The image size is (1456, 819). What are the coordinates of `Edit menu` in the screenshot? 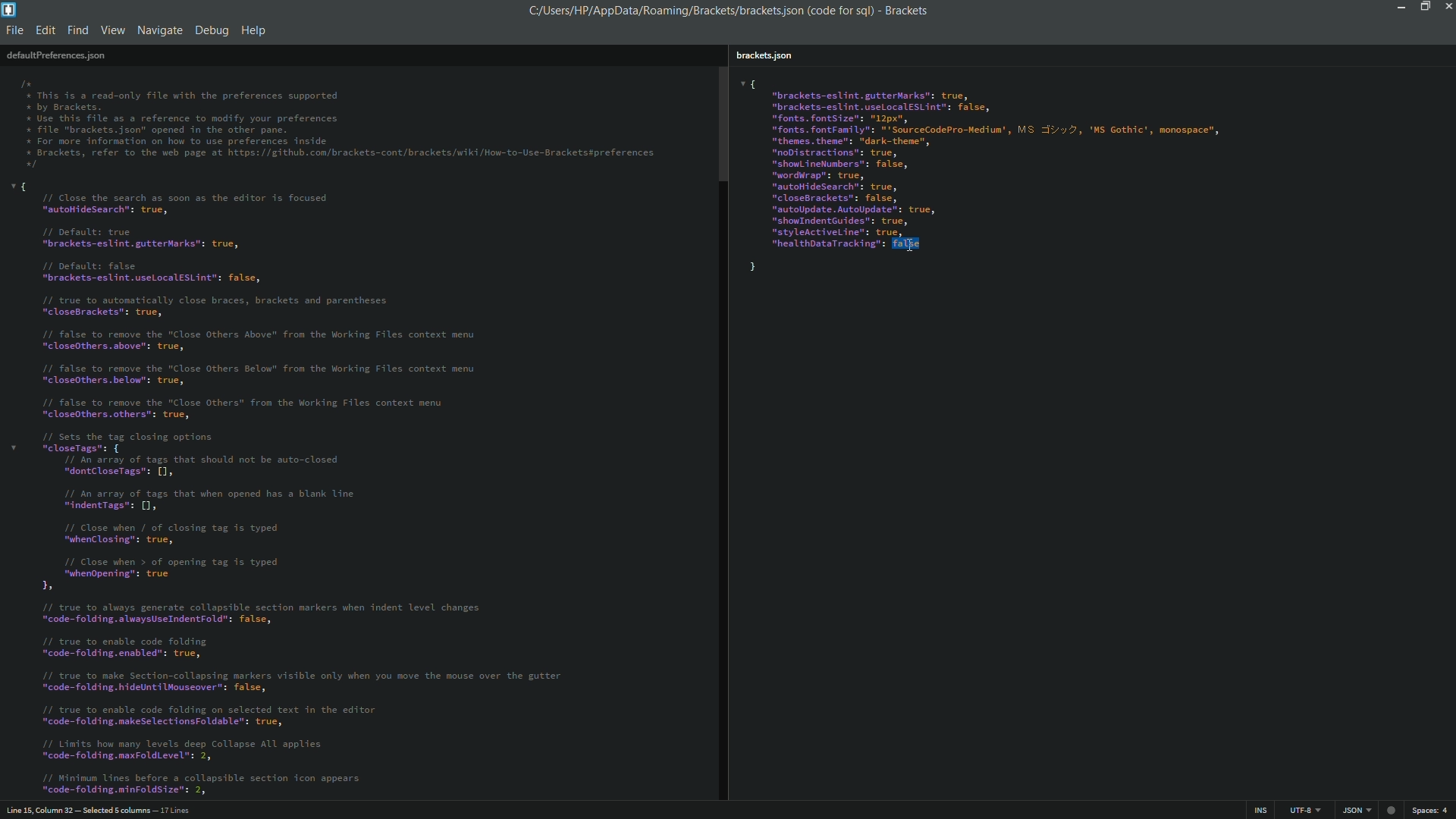 It's located at (44, 32).